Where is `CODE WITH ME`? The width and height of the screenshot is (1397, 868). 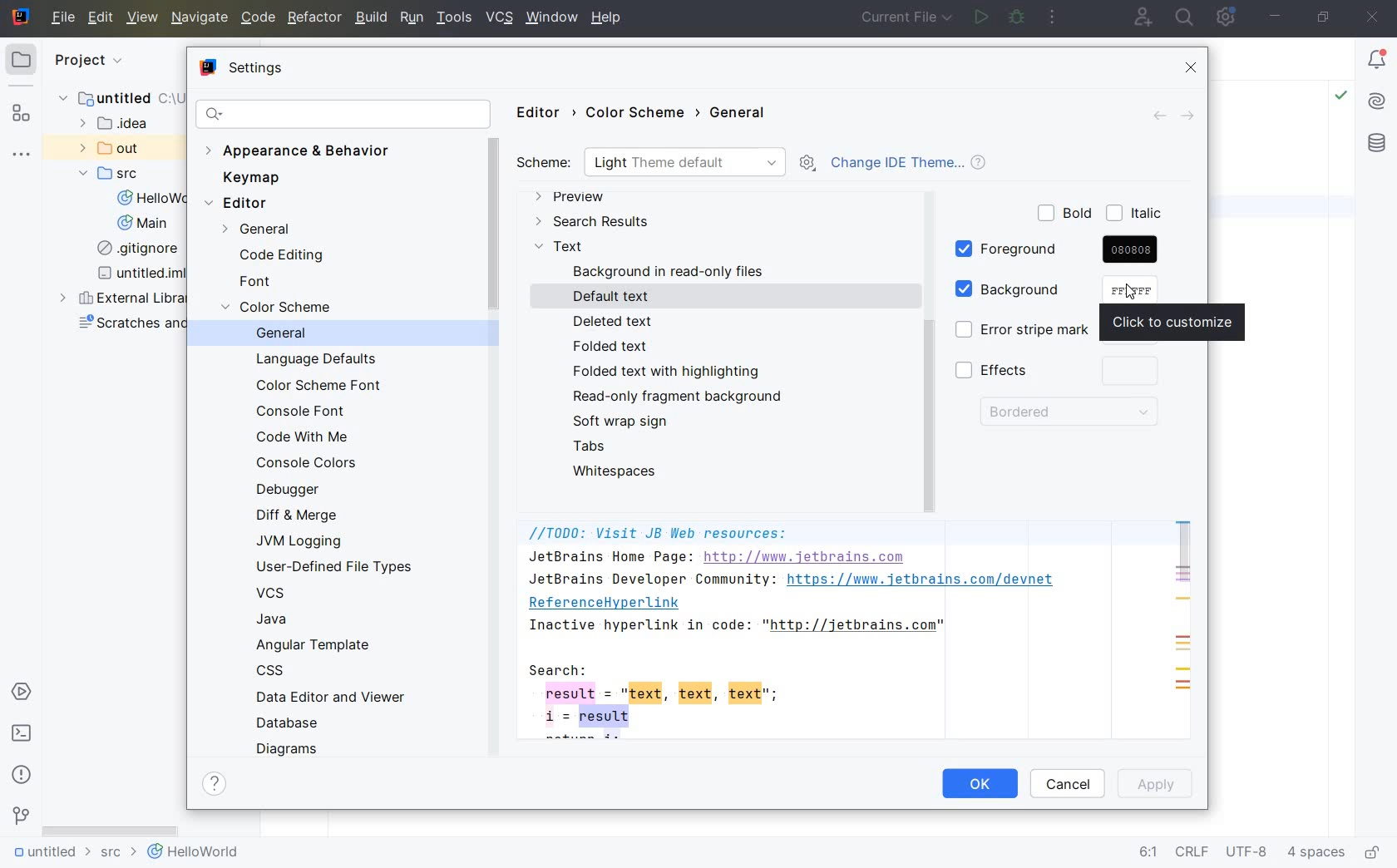 CODE WITH ME is located at coordinates (305, 440).